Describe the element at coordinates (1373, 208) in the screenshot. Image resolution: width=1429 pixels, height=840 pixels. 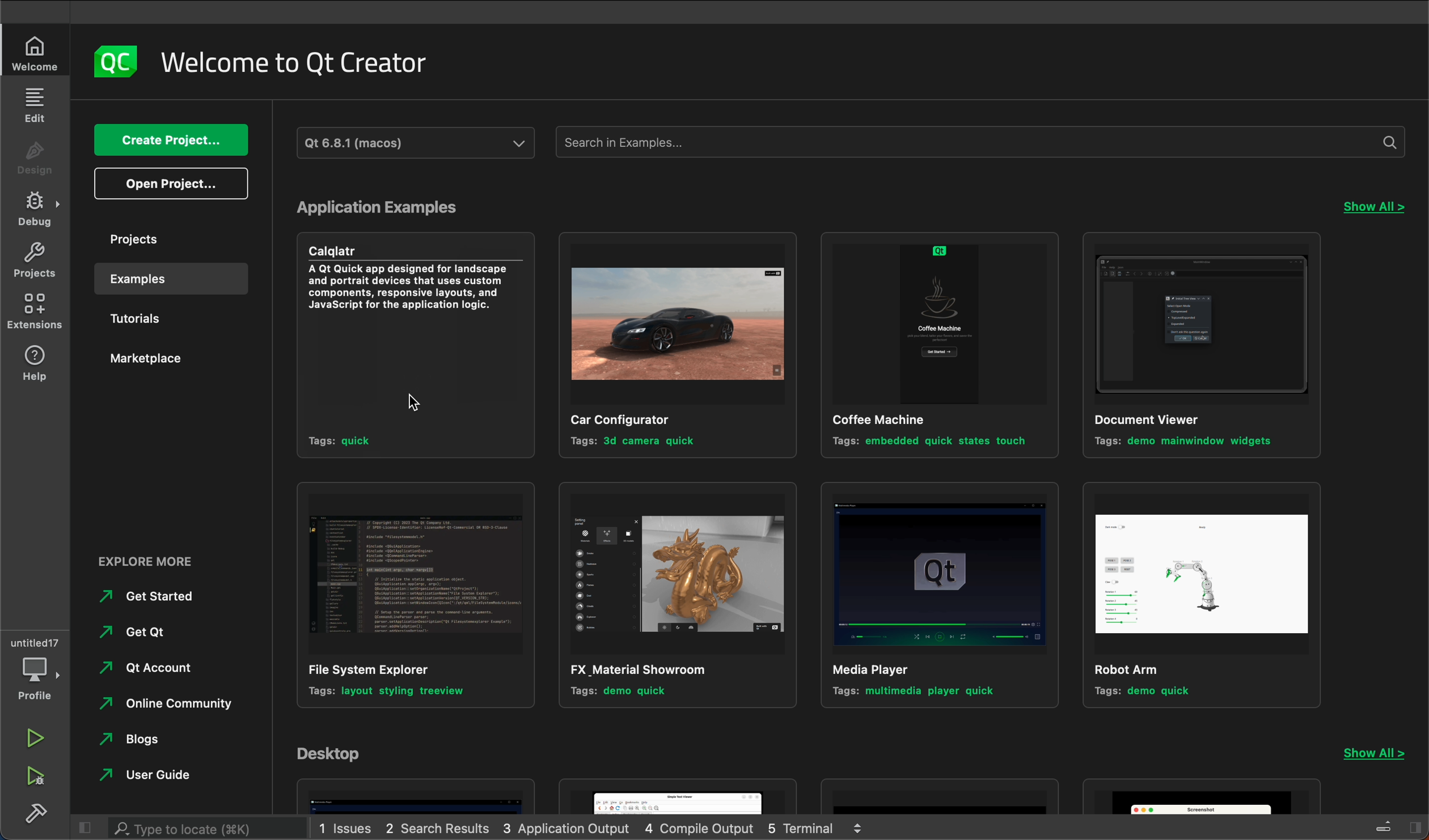
I see `show all` at that location.